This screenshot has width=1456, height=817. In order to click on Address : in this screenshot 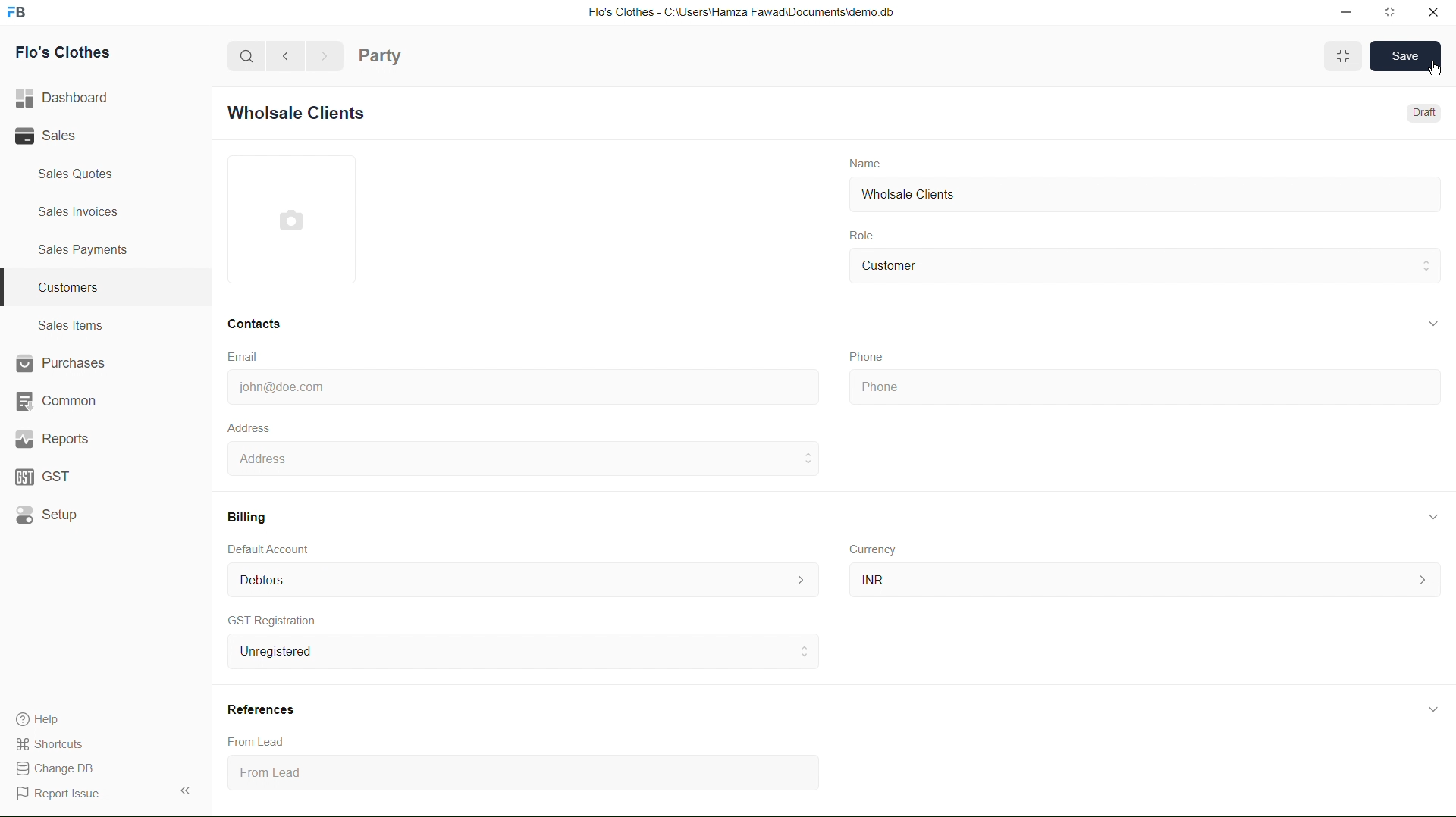, I will do `click(519, 458)`.